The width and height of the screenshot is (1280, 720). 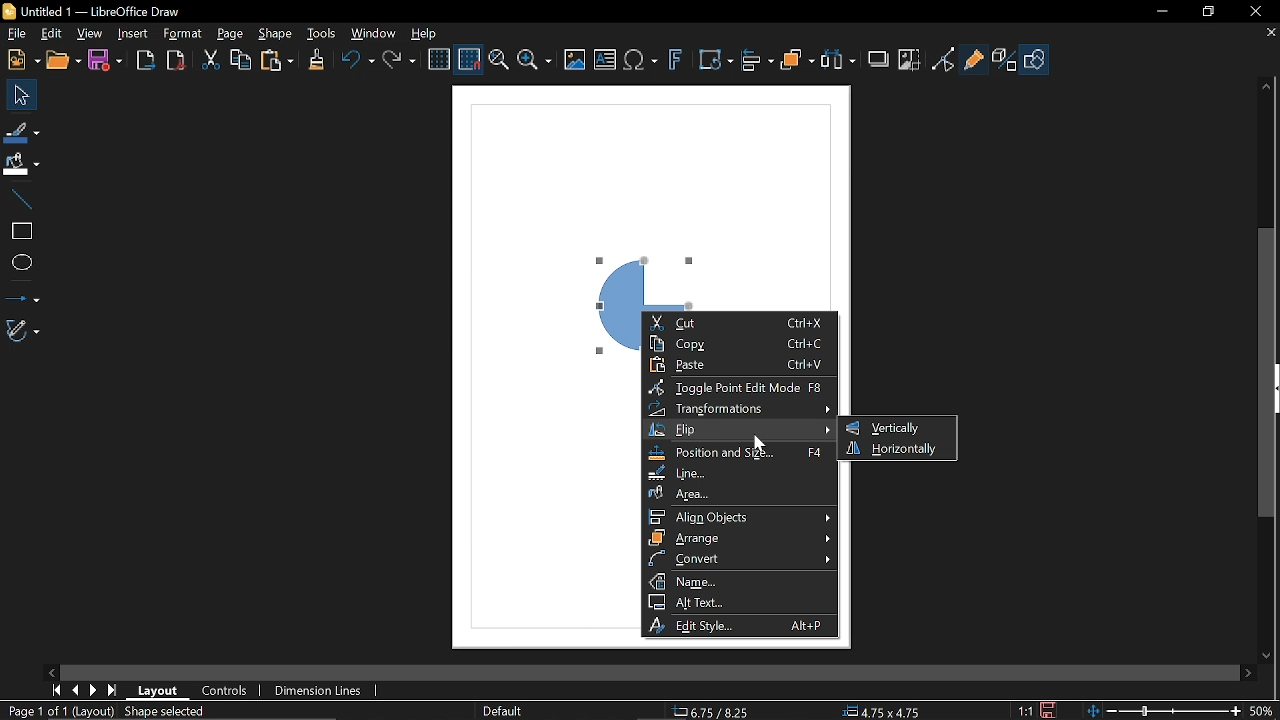 What do you see at coordinates (321, 33) in the screenshot?
I see `Tools` at bounding box center [321, 33].